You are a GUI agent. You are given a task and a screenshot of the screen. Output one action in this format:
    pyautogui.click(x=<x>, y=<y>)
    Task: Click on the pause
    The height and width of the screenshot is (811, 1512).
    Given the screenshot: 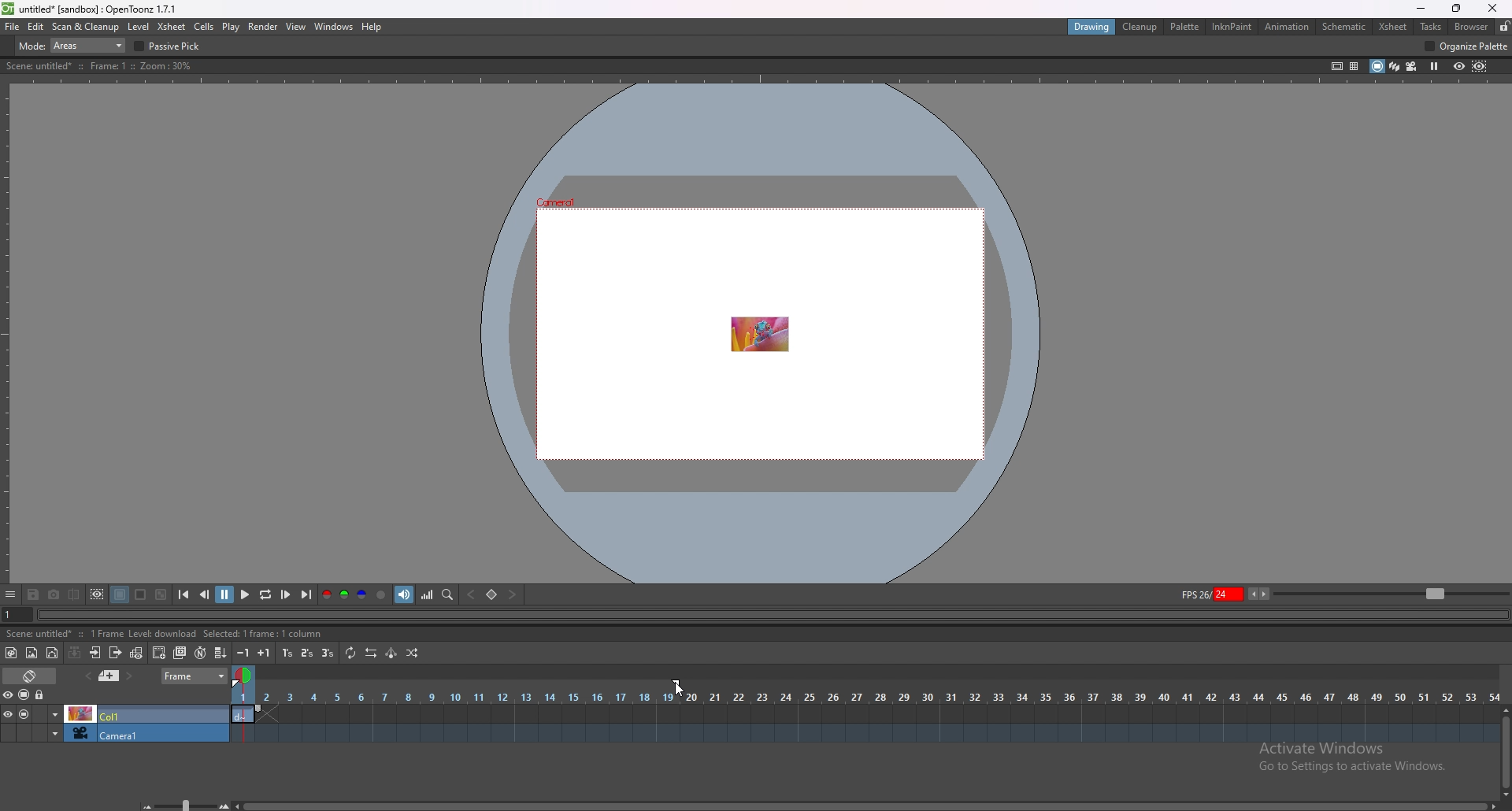 What is the action you would take?
    pyautogui.click(x=226, y=593)
    